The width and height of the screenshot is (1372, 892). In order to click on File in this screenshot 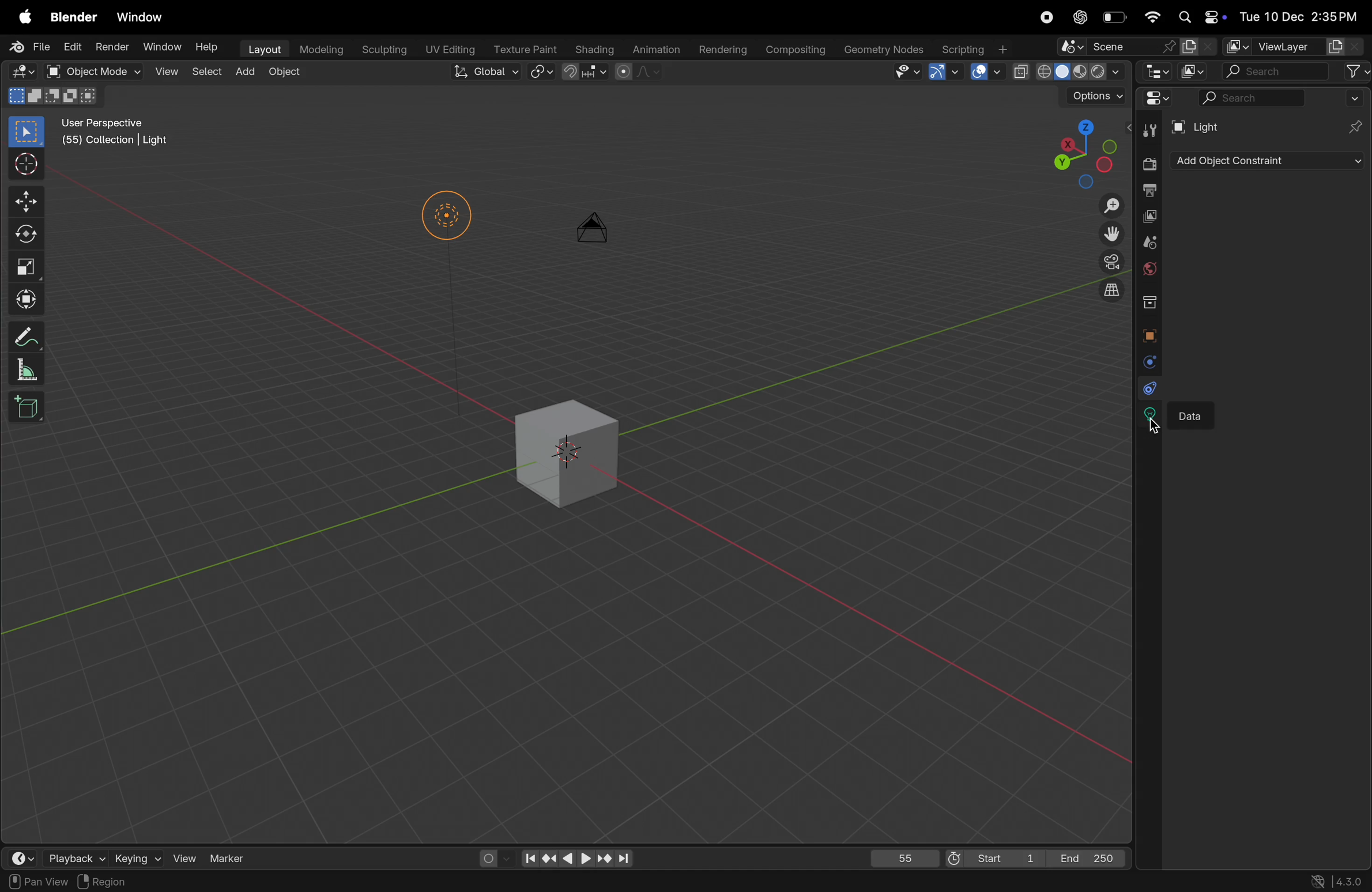, I will do `click(28, 47)`.